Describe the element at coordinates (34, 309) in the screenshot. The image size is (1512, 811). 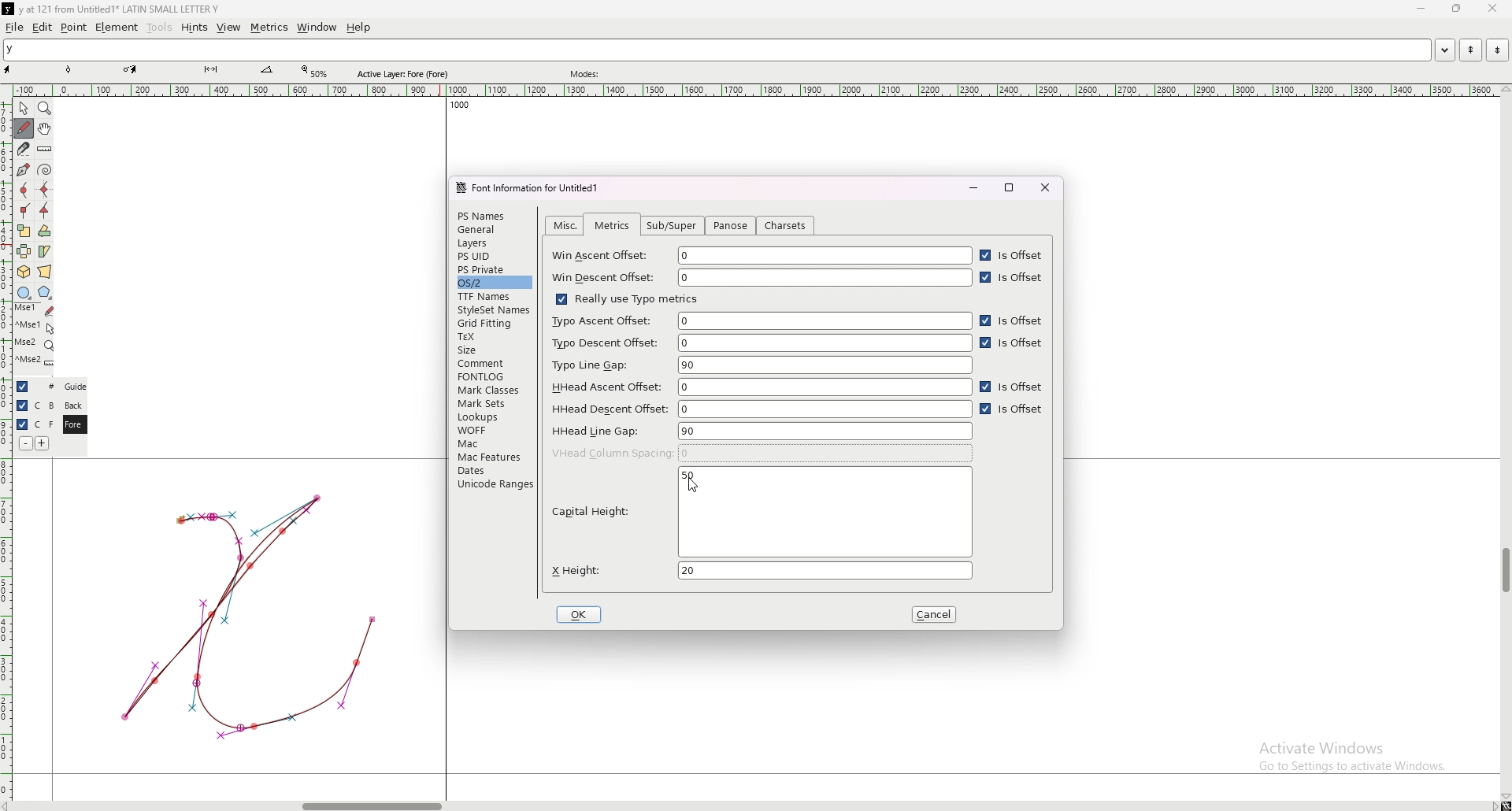
I see `mse 1` at that location.